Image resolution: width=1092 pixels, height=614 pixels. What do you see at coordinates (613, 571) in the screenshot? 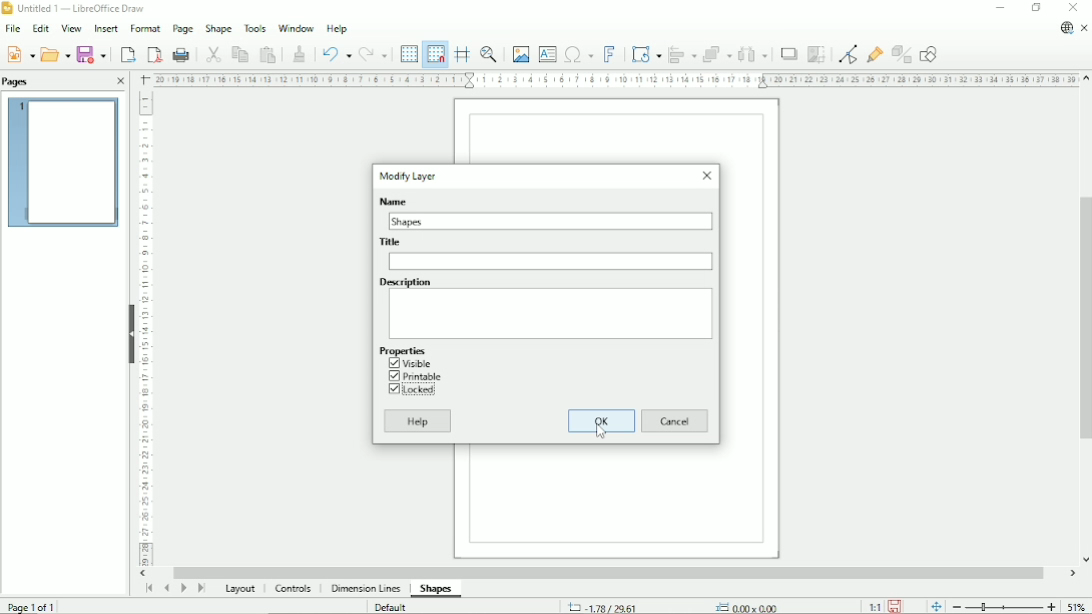
I see `Horizontal scrollbar` at bounding box center [613, 571].